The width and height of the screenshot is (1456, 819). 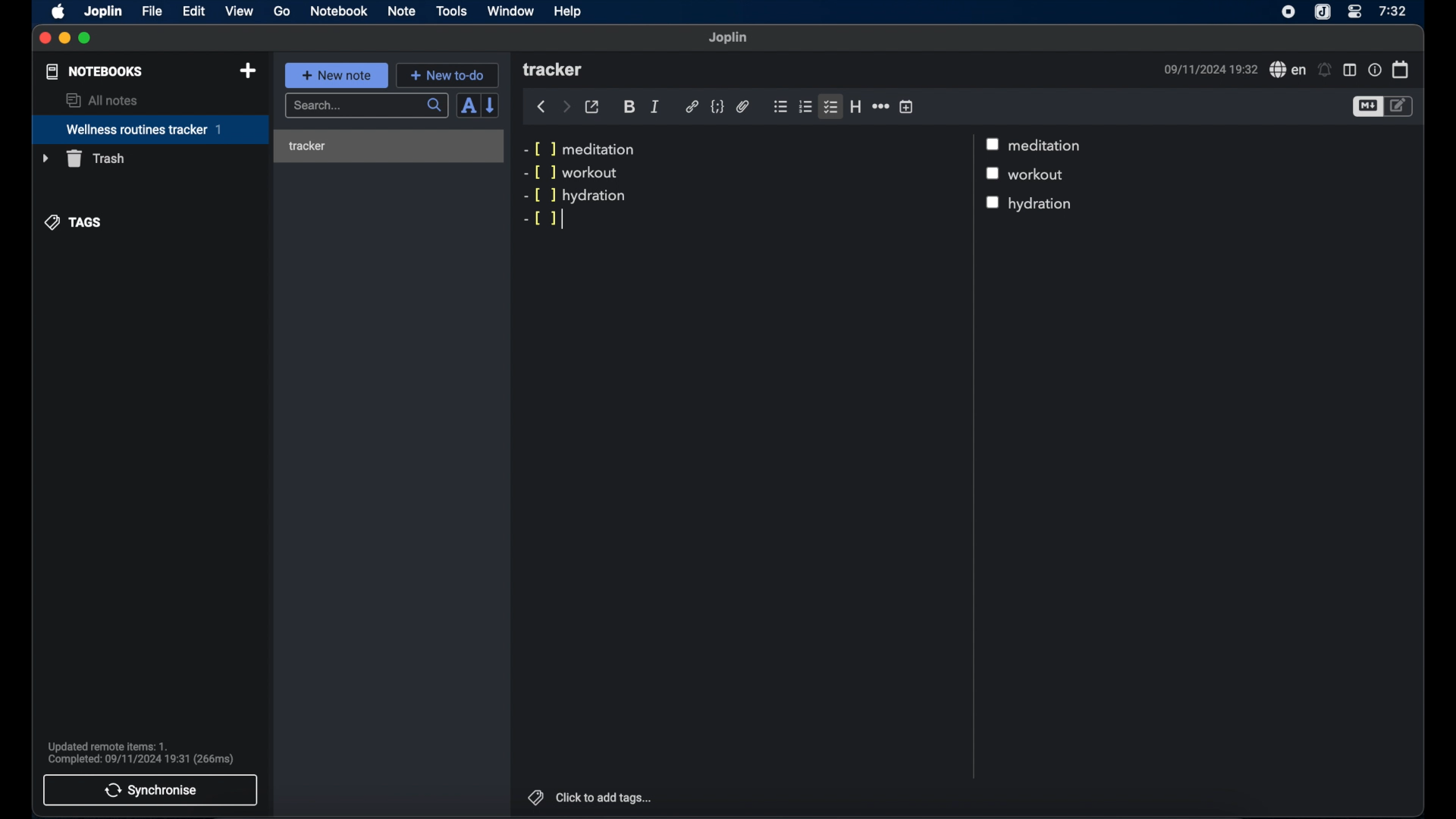 I want to click on file, so click(x=152, y=11).